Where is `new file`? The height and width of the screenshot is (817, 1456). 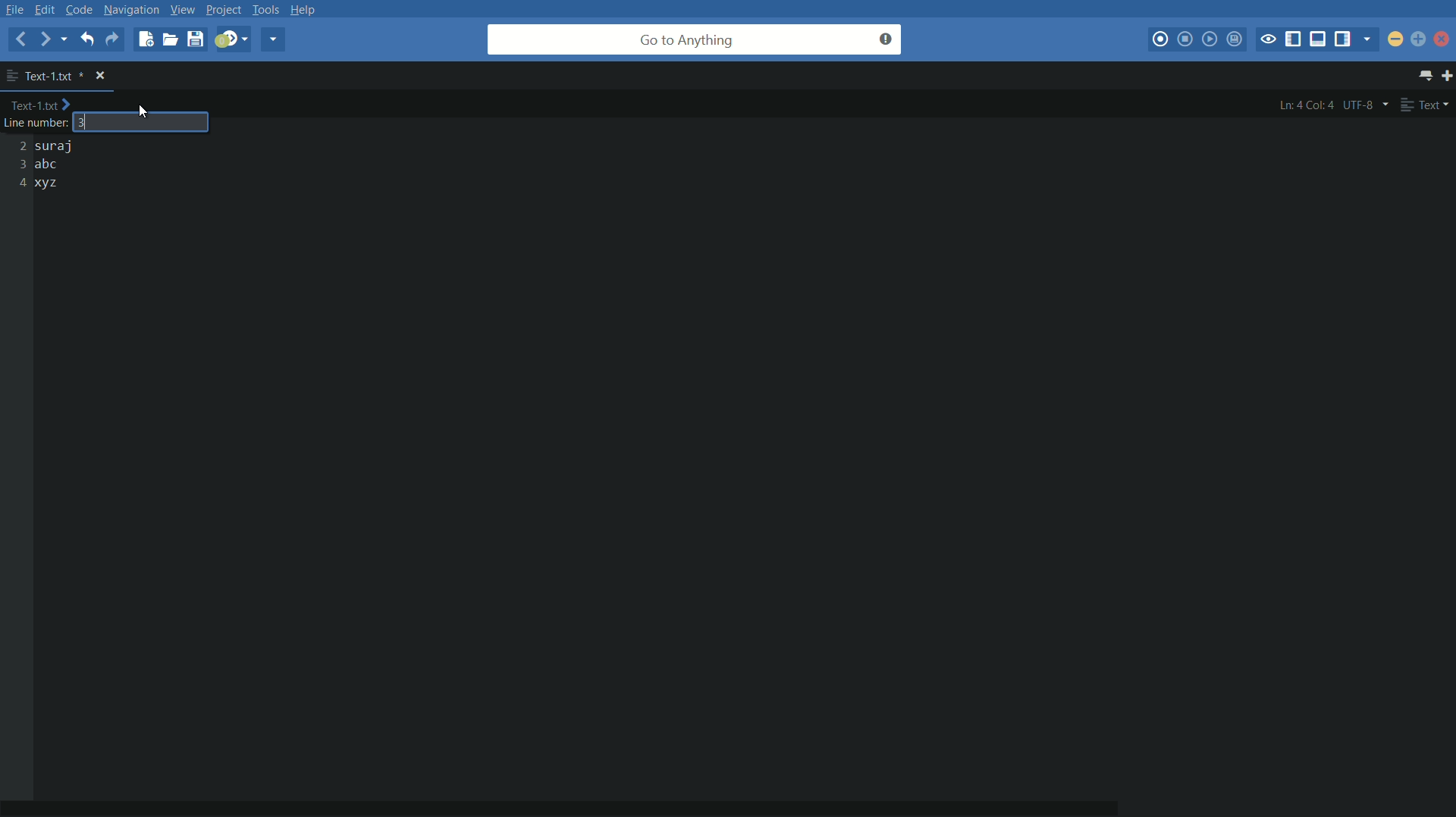 new file is located at coordinates (144, 39).